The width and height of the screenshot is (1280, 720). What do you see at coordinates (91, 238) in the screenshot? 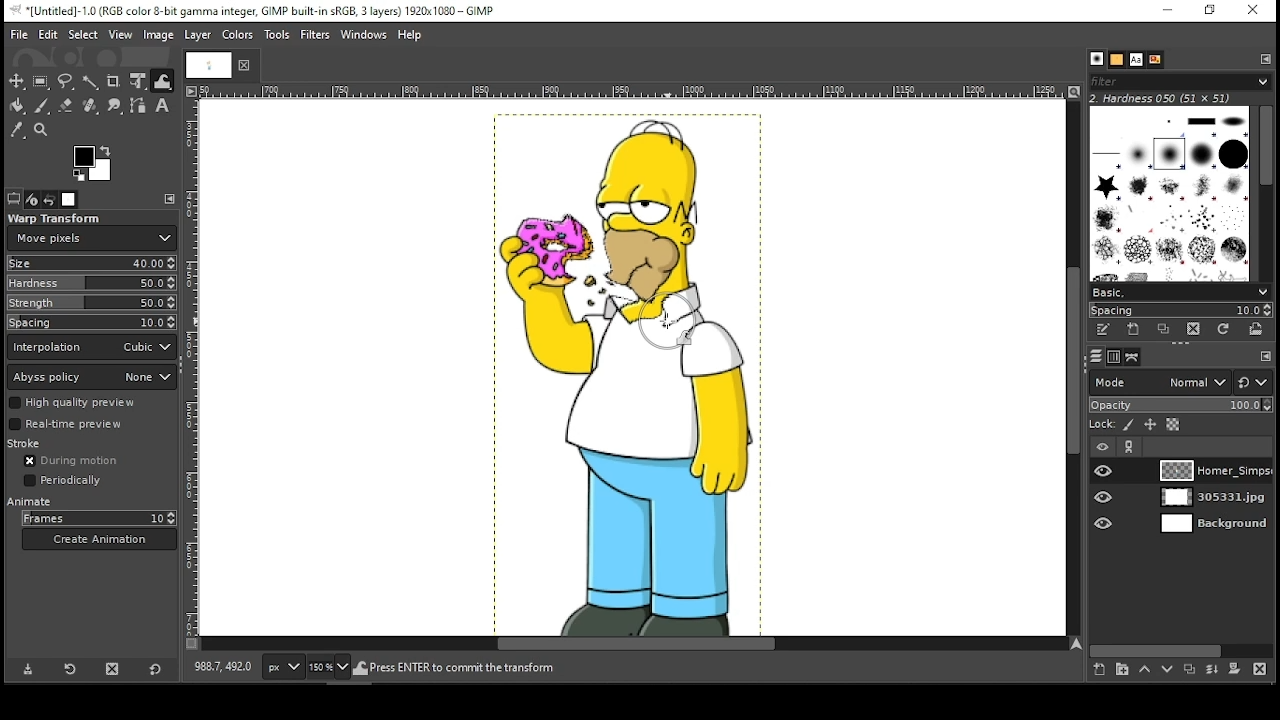
I see `move pixels` at bounding box center [91, 238].